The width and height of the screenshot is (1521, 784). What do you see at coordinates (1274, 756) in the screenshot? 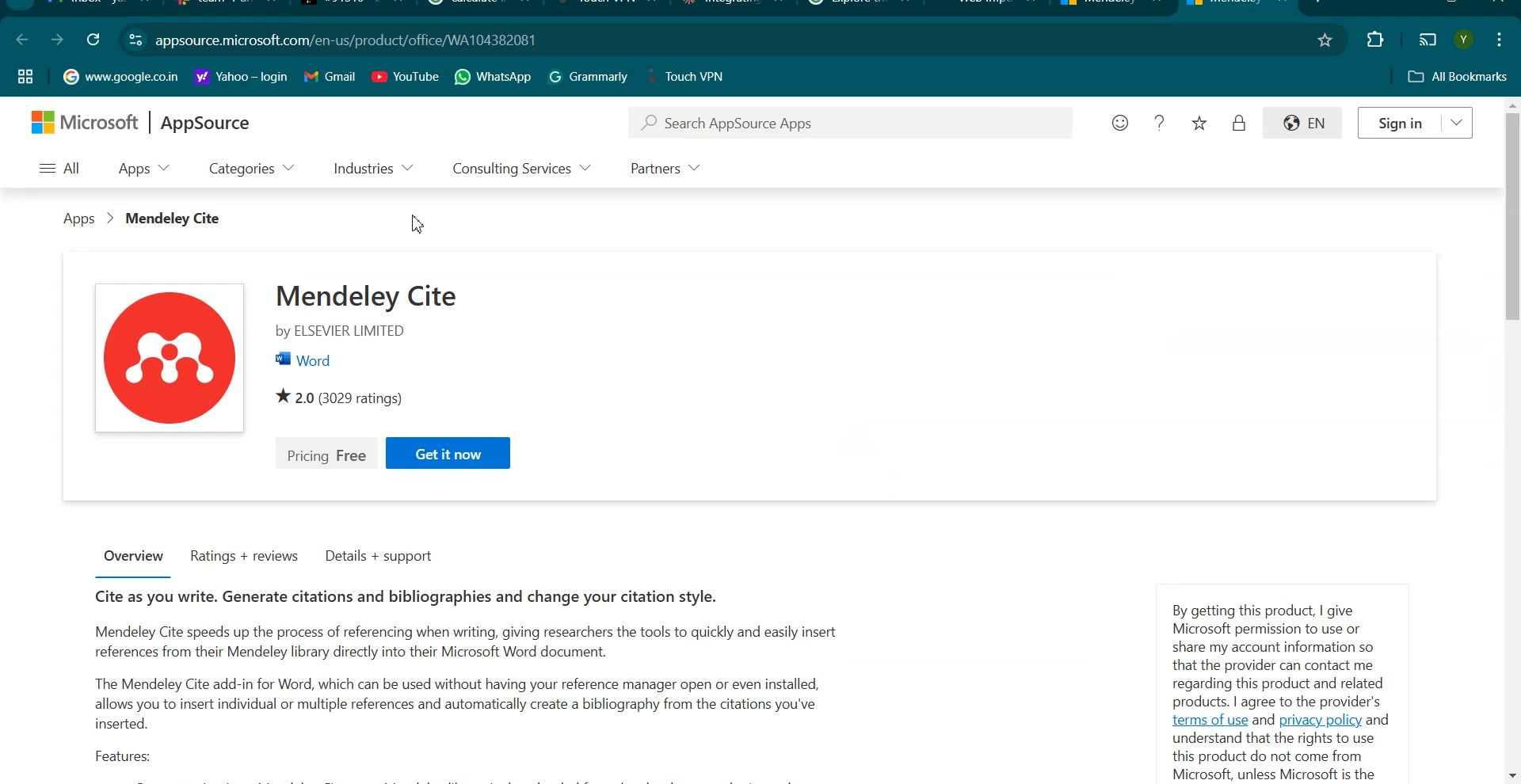
I see `understand that the rights to usethis product do not come from microsoft unless microsoft is the` at bounding box center [1274, 756].